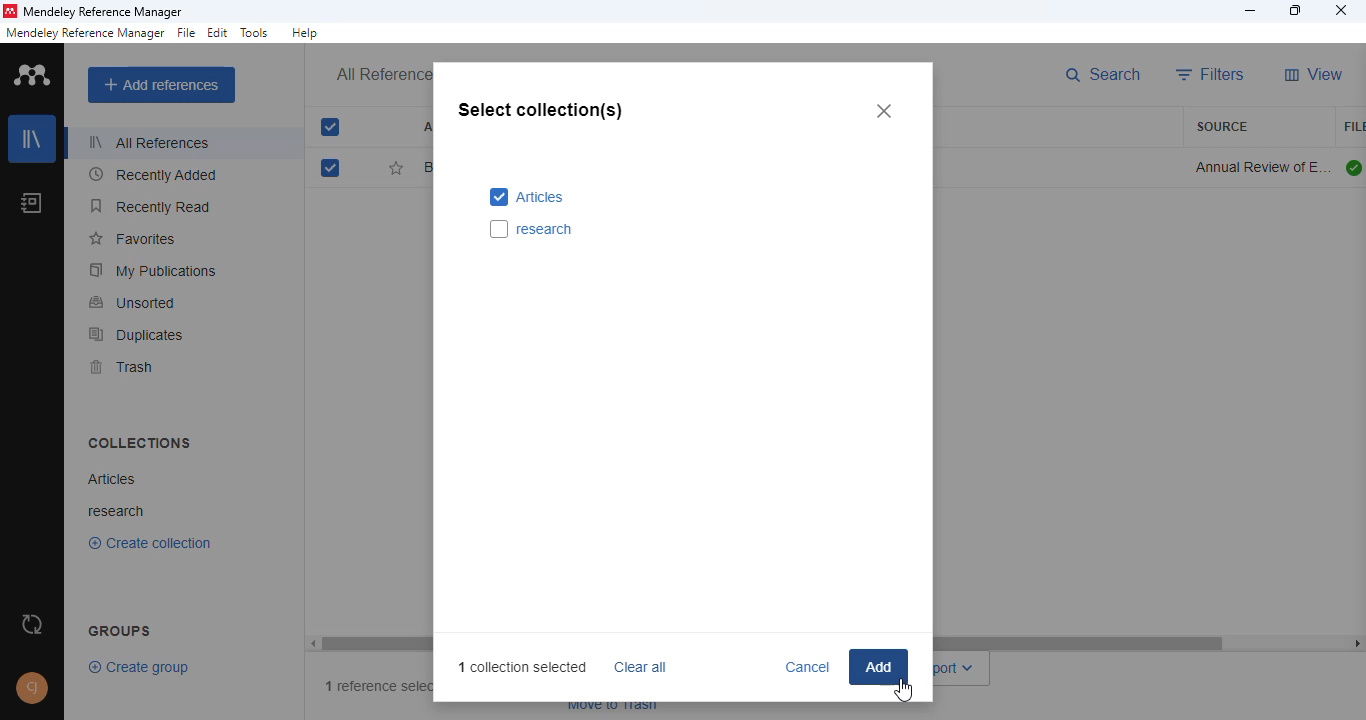  What do you see at coordinates (137, 335) in the screenshot?
I see `duplicates` at bounding box center [137, 335].